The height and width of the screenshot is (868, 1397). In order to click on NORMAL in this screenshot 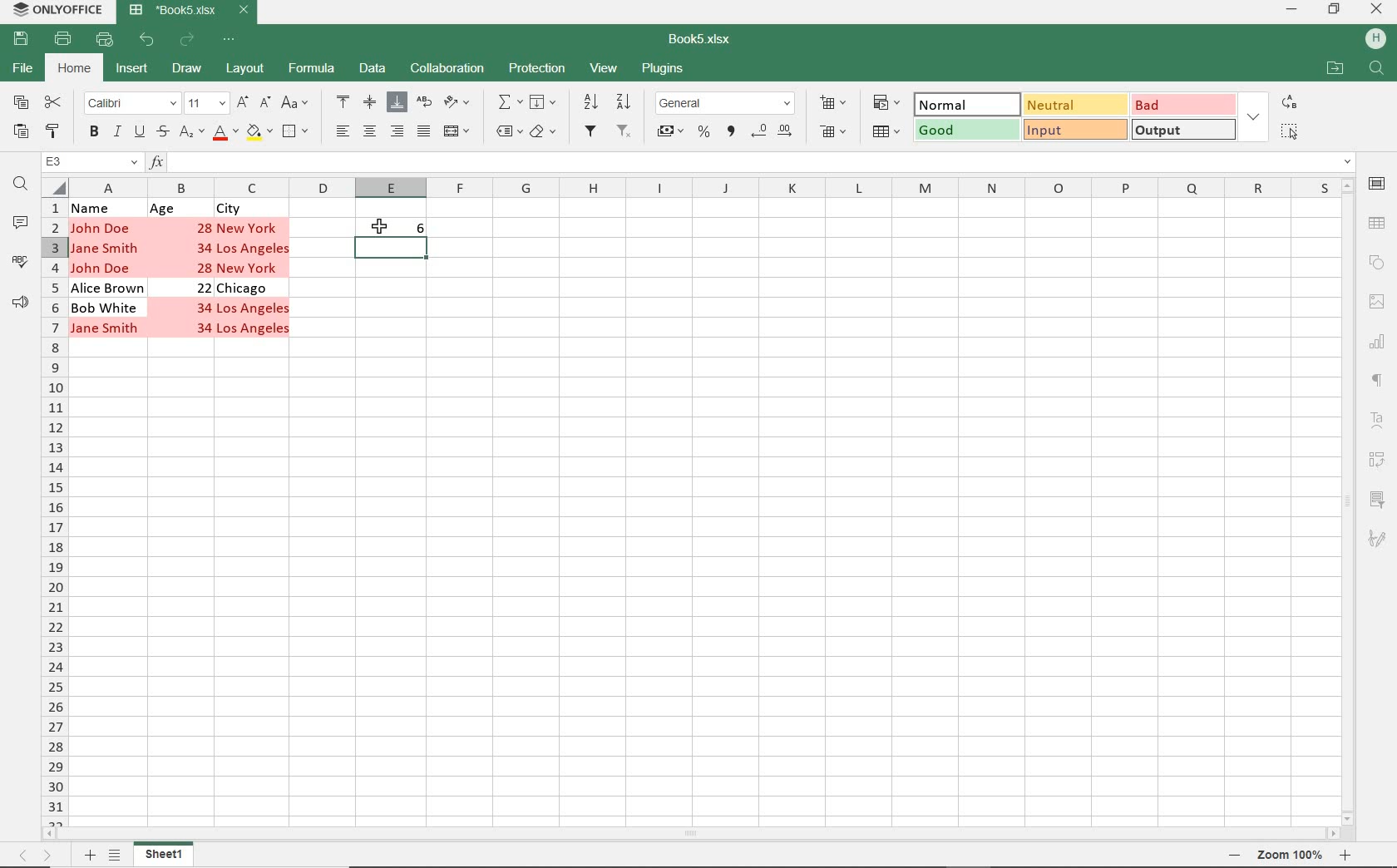, I will do `click(962, 104)`.